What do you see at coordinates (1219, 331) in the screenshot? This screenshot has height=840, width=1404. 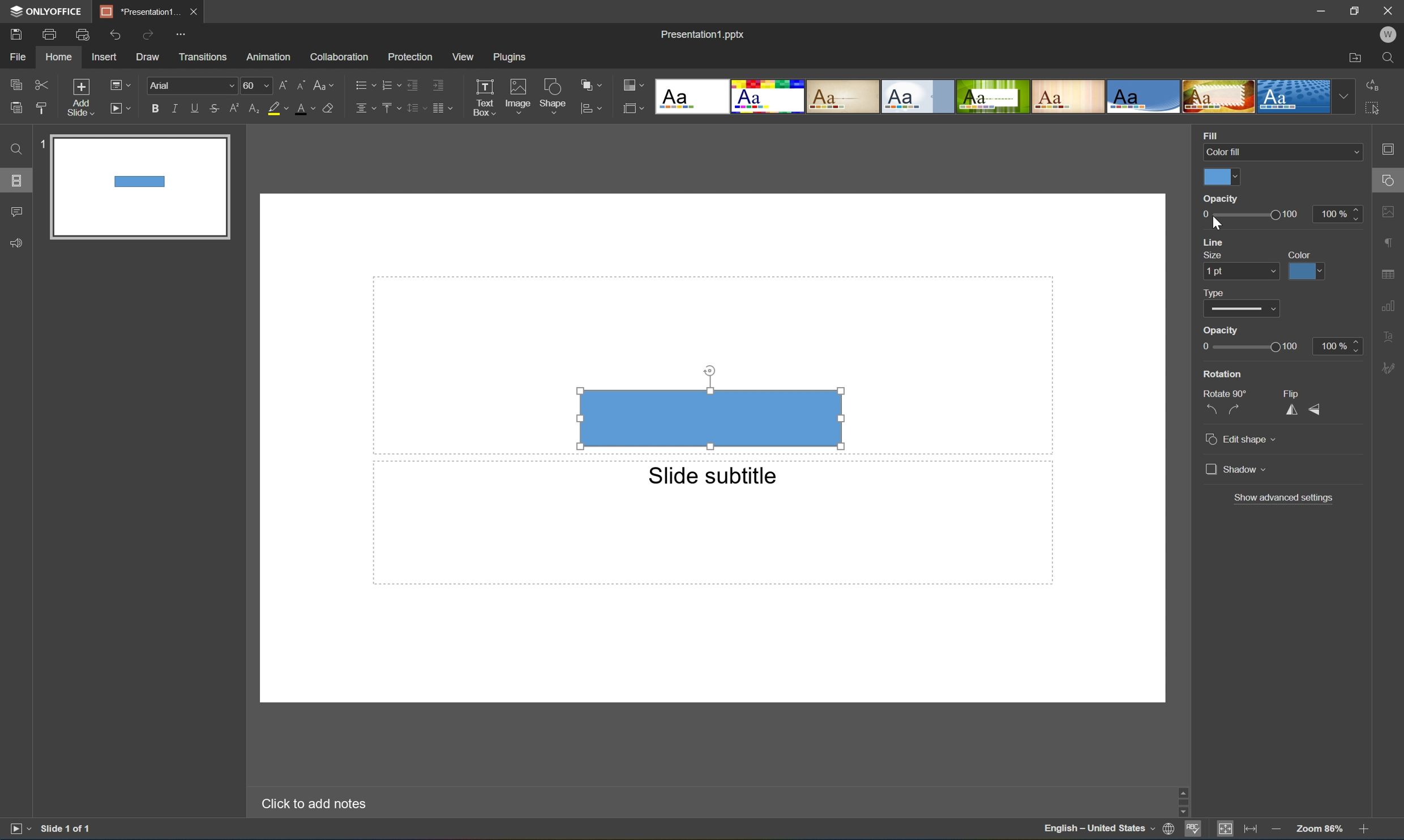 I see `Opacity` at bounding box center [1219, 331].